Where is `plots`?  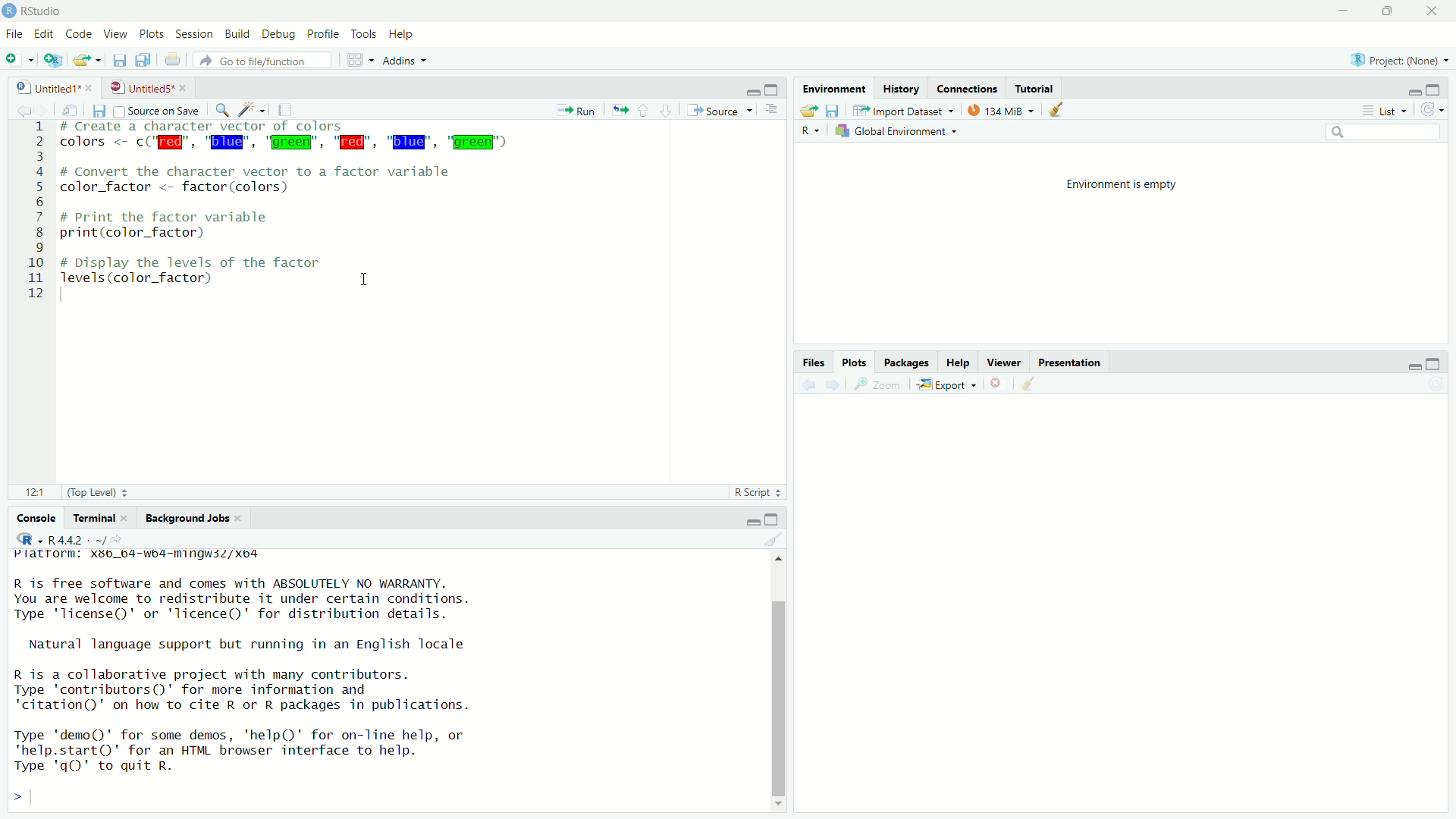 plots is located at coordinates (152, 35).